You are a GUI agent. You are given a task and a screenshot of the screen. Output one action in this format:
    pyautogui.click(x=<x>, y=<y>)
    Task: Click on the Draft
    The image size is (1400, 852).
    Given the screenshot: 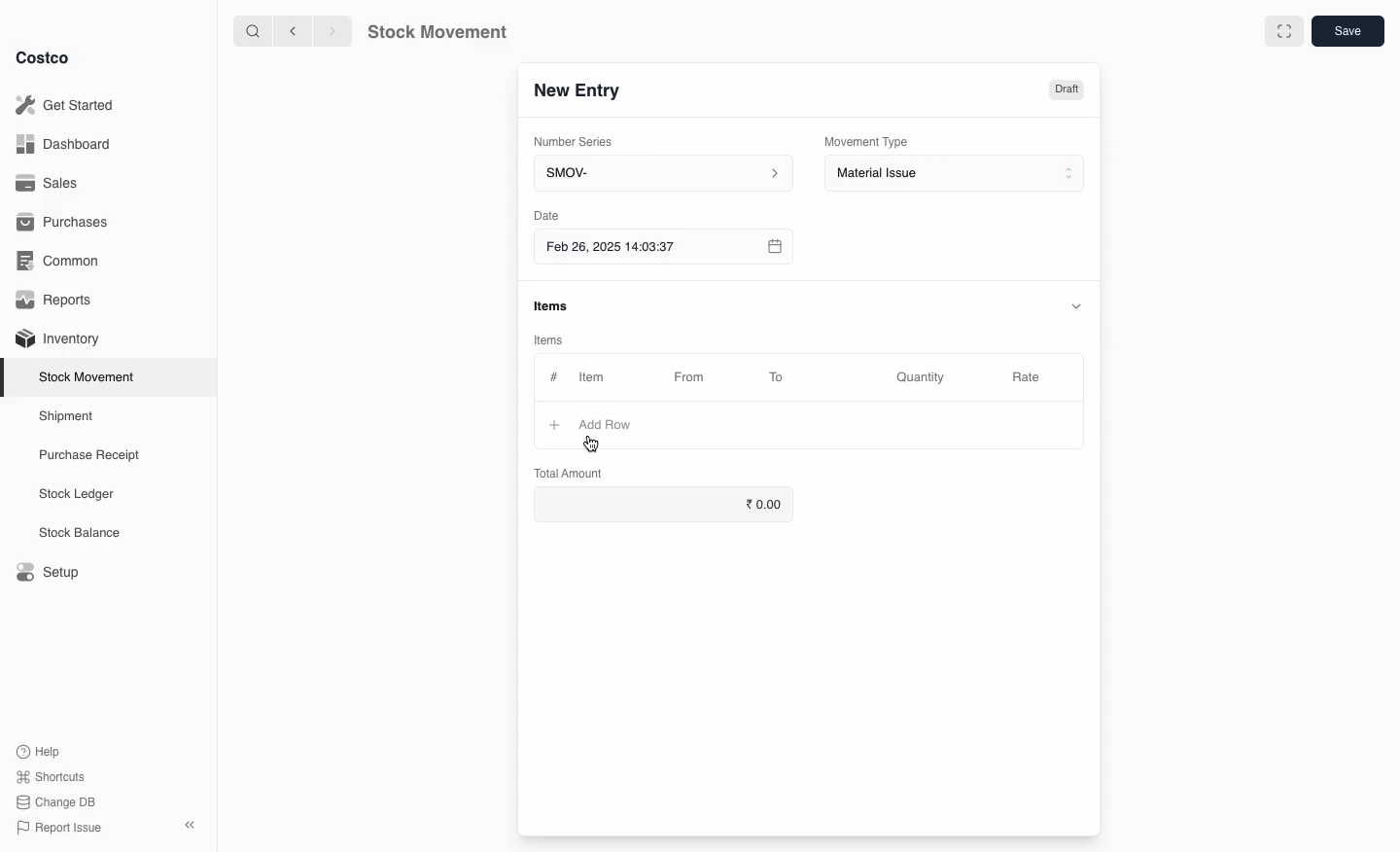 What is the action you would take?
    pyautogui.click(x=1066, y=91)
    